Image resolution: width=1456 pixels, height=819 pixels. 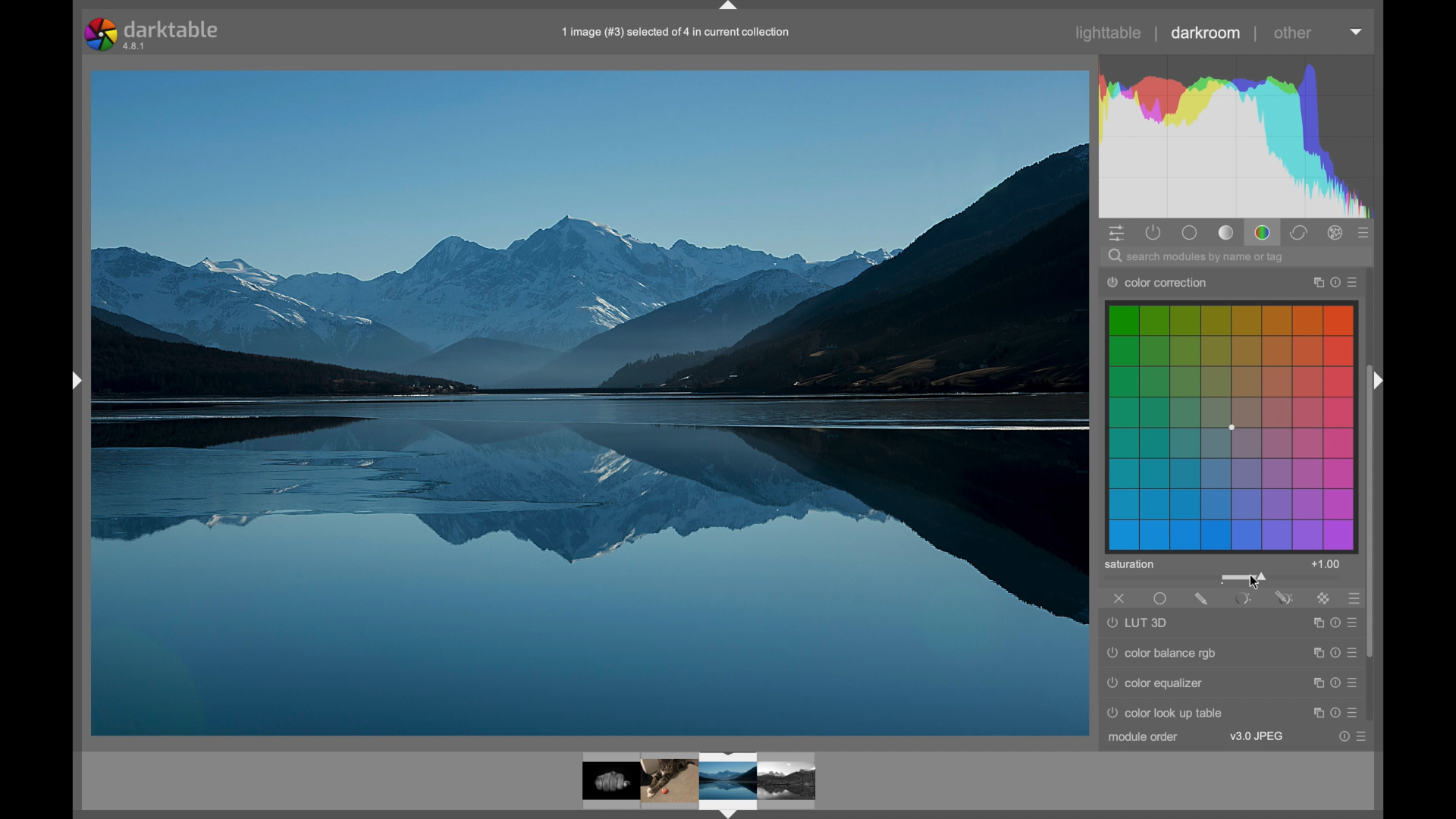 I want to click on more options, so click(x=1356, y=736).